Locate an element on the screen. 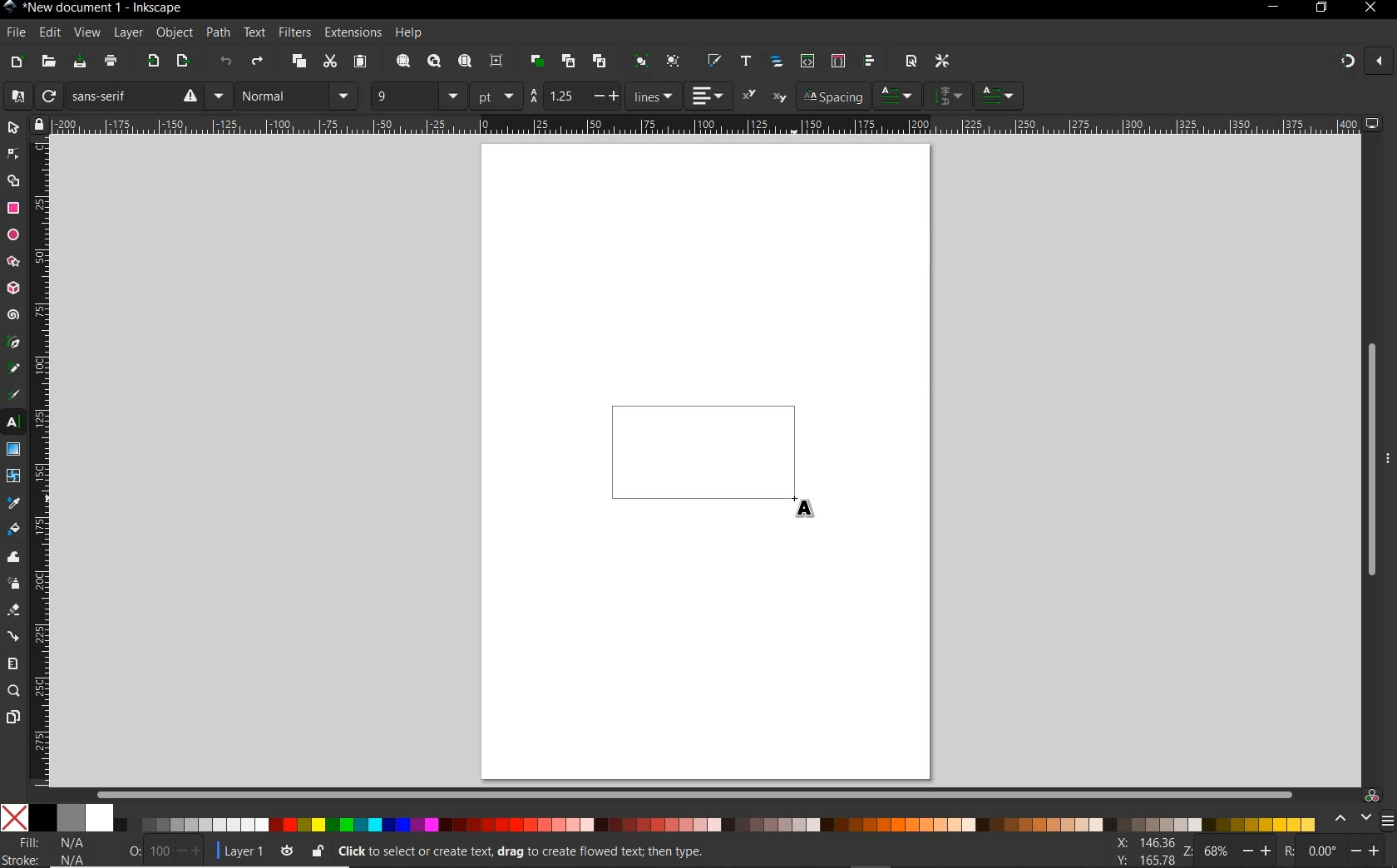 Image resolution: width=1397 pixels, height=868 pixels. paste is located at coordinates (360, 62).